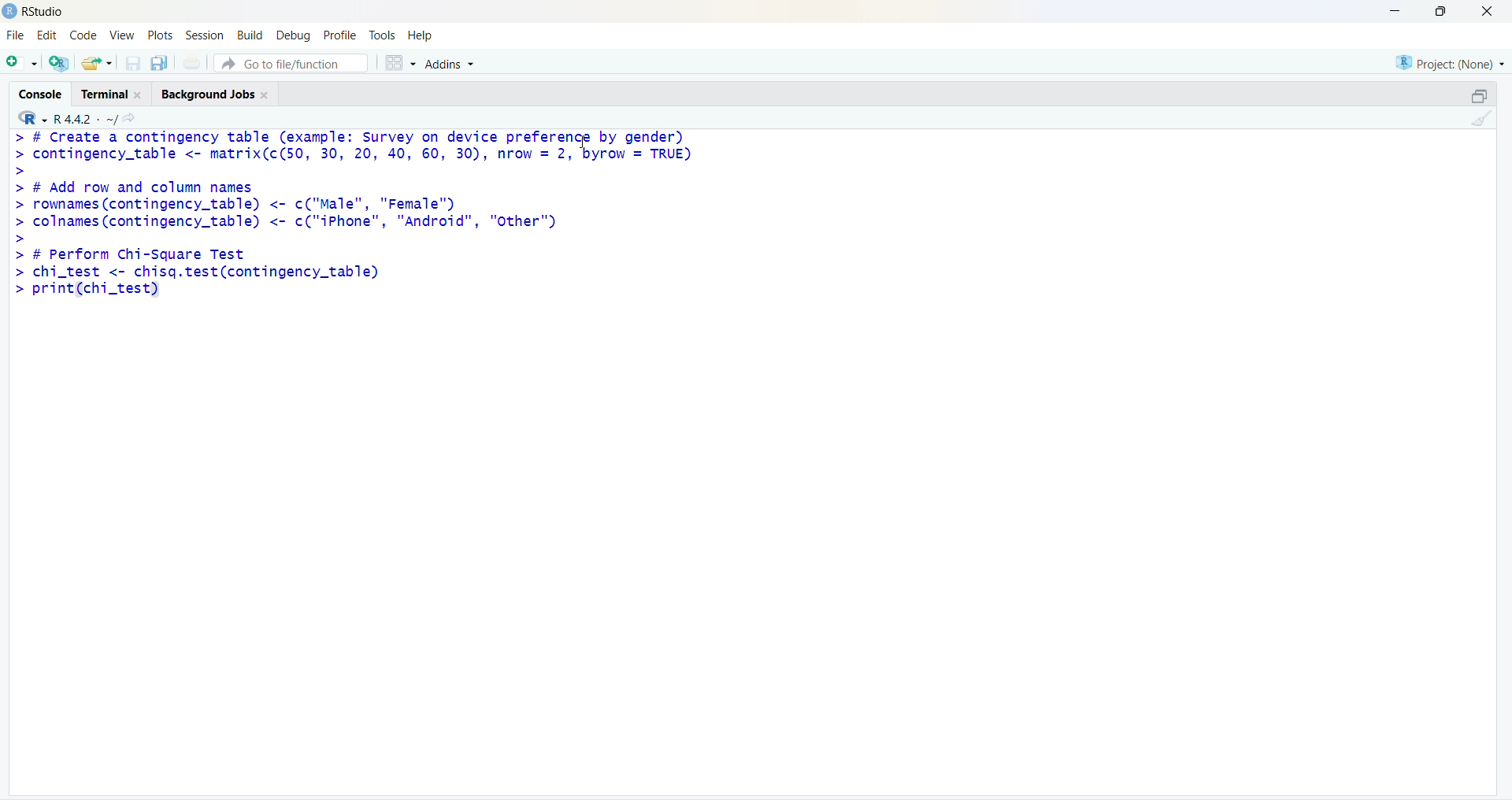 The width and height of the screenshot is (1512, 800). Describe the element at coordinates (291, 64) in the screenshot. I see `go to file/function` at that location.